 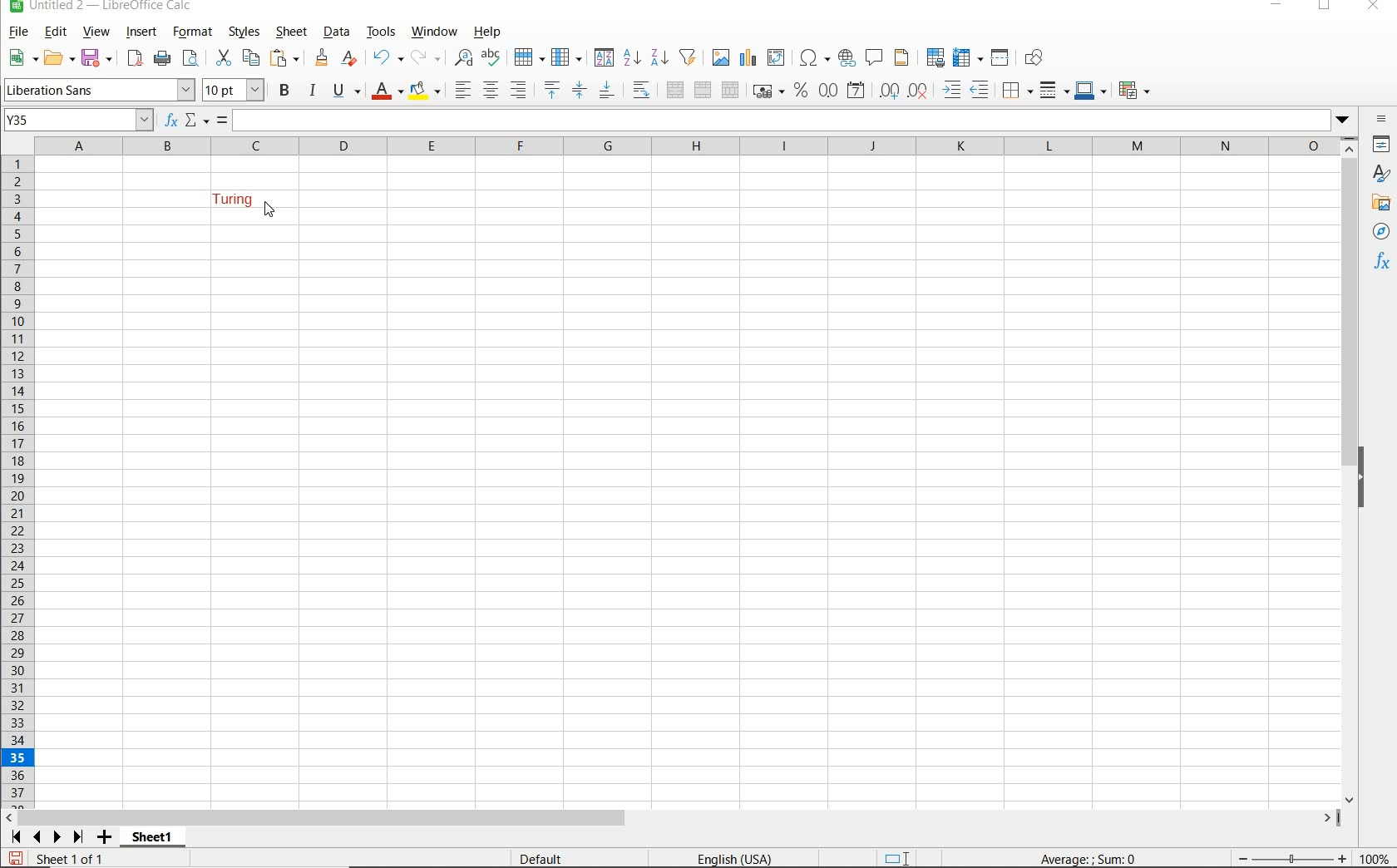 What do you see at coordinates (197, 121) in the screenshot?
I see `SELECT FUNCTION` at bounding box center [197, 121].